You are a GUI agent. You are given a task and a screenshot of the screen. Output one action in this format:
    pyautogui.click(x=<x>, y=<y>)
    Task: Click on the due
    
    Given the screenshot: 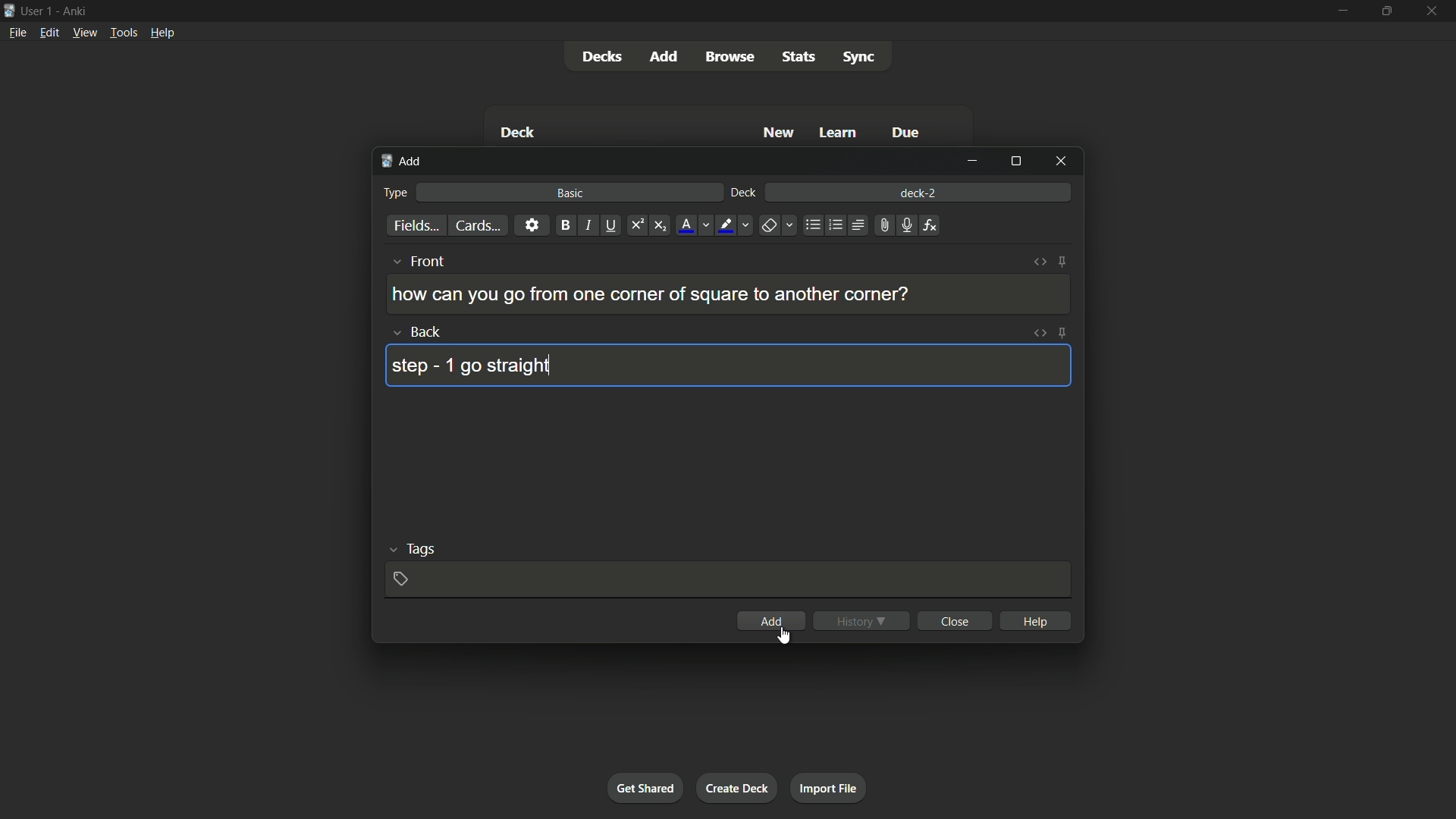 What is the action you would take?
    pyautogui.click(x=903, y=133)
    